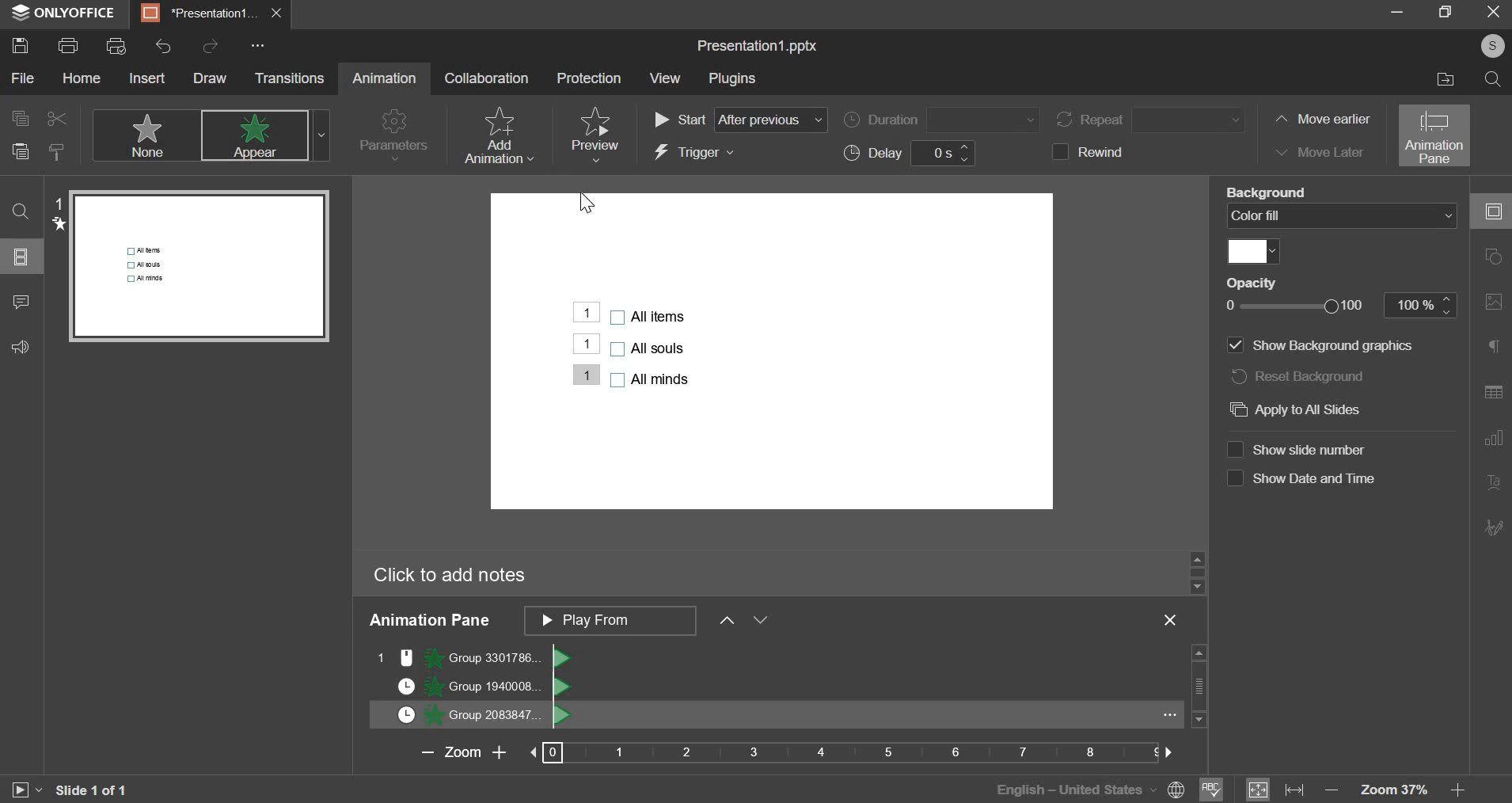 The image size is (1512, 803). What do you see at coordinates (1153, 120) in the screenshot?
I see `repeat` at bounding box center [1153, 120].